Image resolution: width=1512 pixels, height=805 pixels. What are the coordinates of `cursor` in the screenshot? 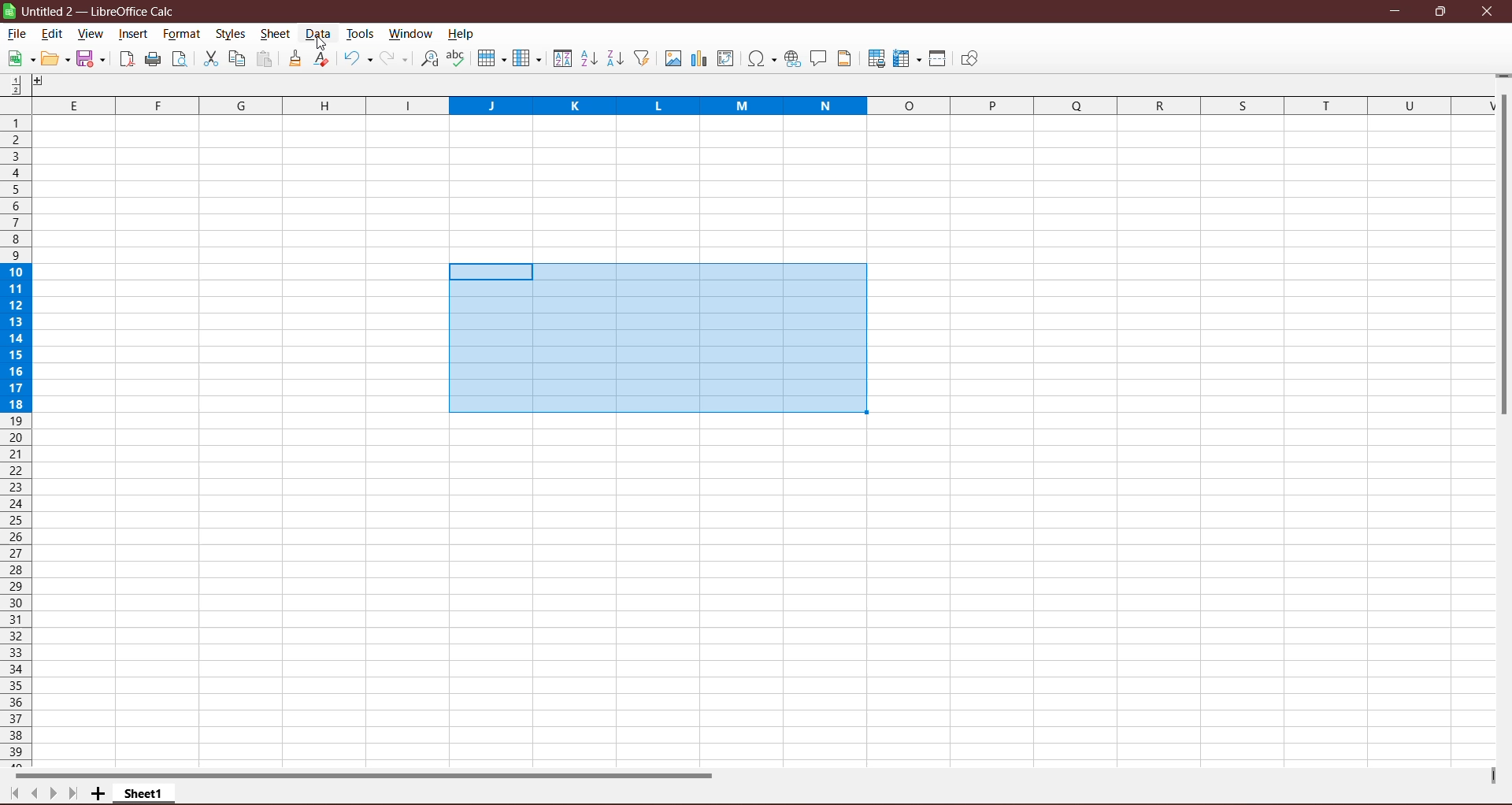 It's located at (320, 44).